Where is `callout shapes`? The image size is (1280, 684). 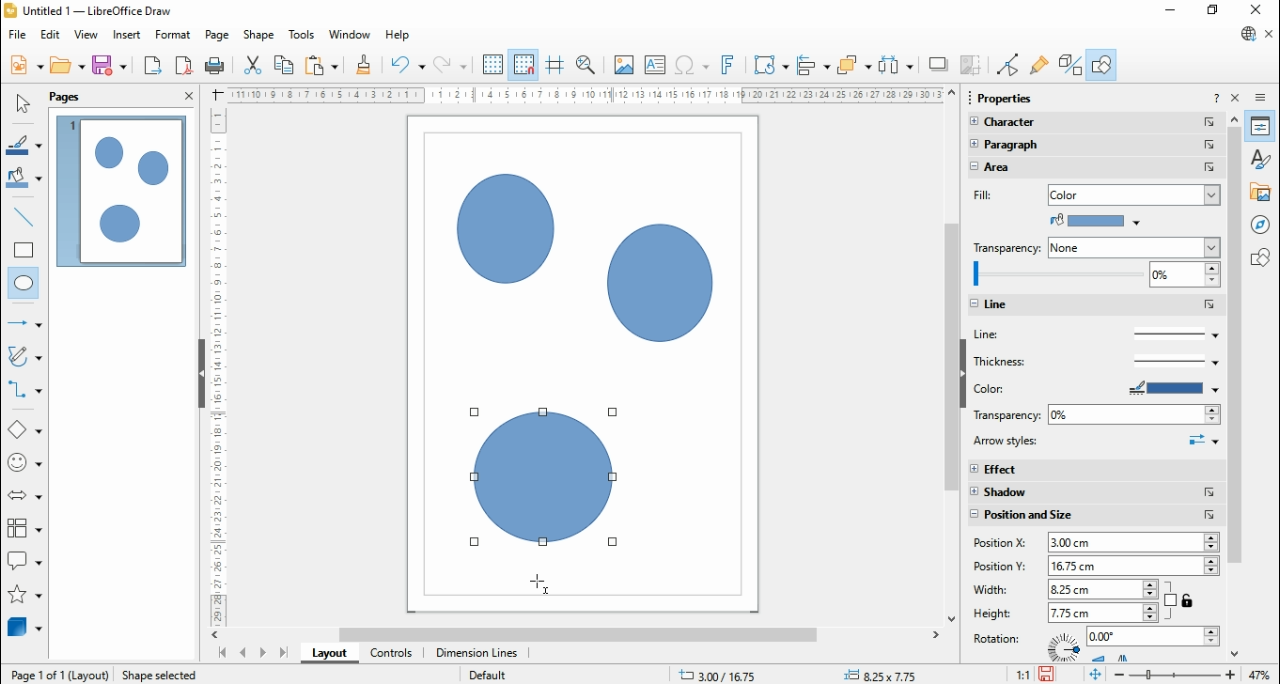 callout shapes is located at coordinates (26, 564).